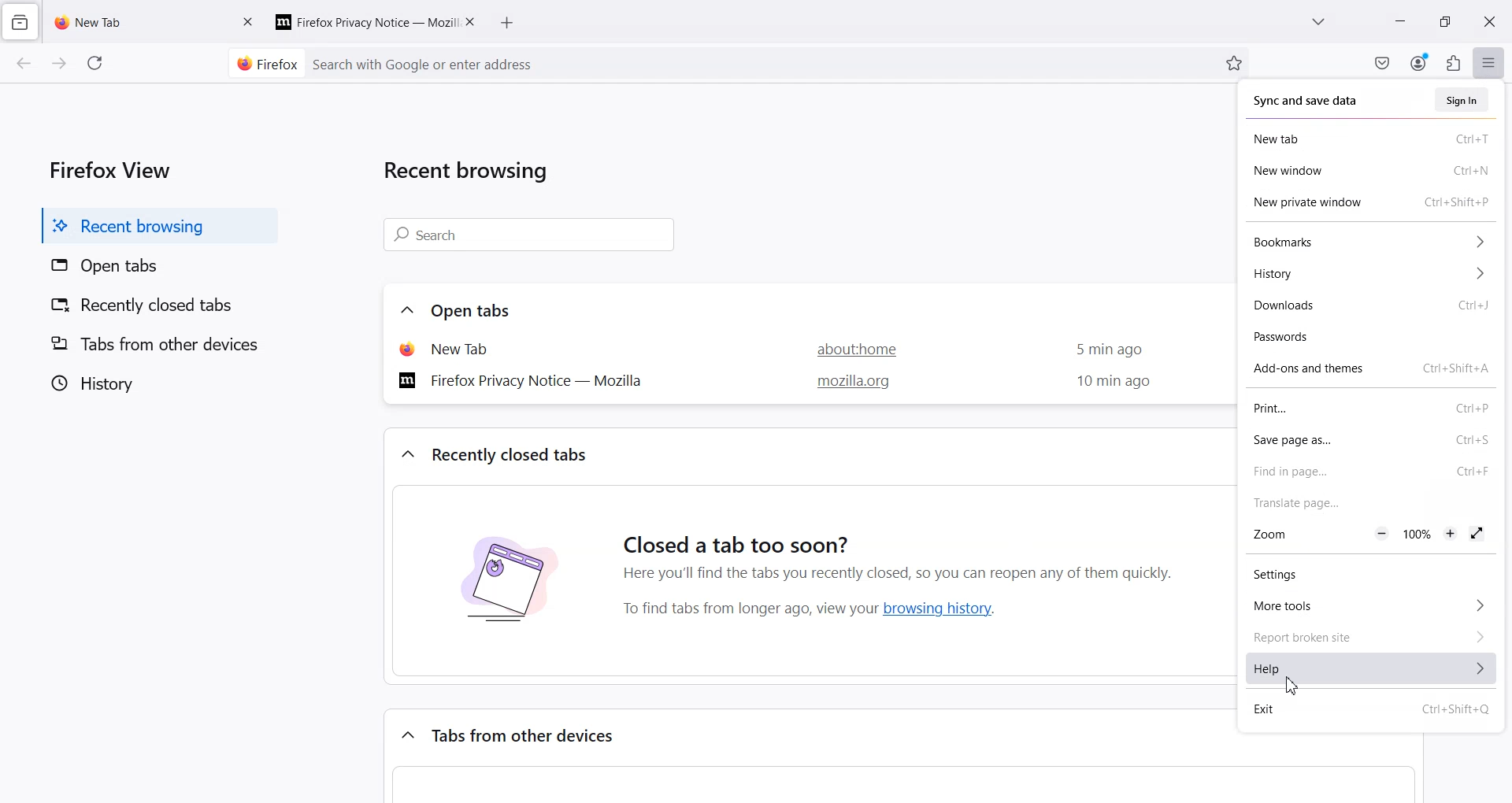  What do you see at coordinates (1369, 472) in the screenshot?
I see `find in page` at bounding box center [1369, 472].